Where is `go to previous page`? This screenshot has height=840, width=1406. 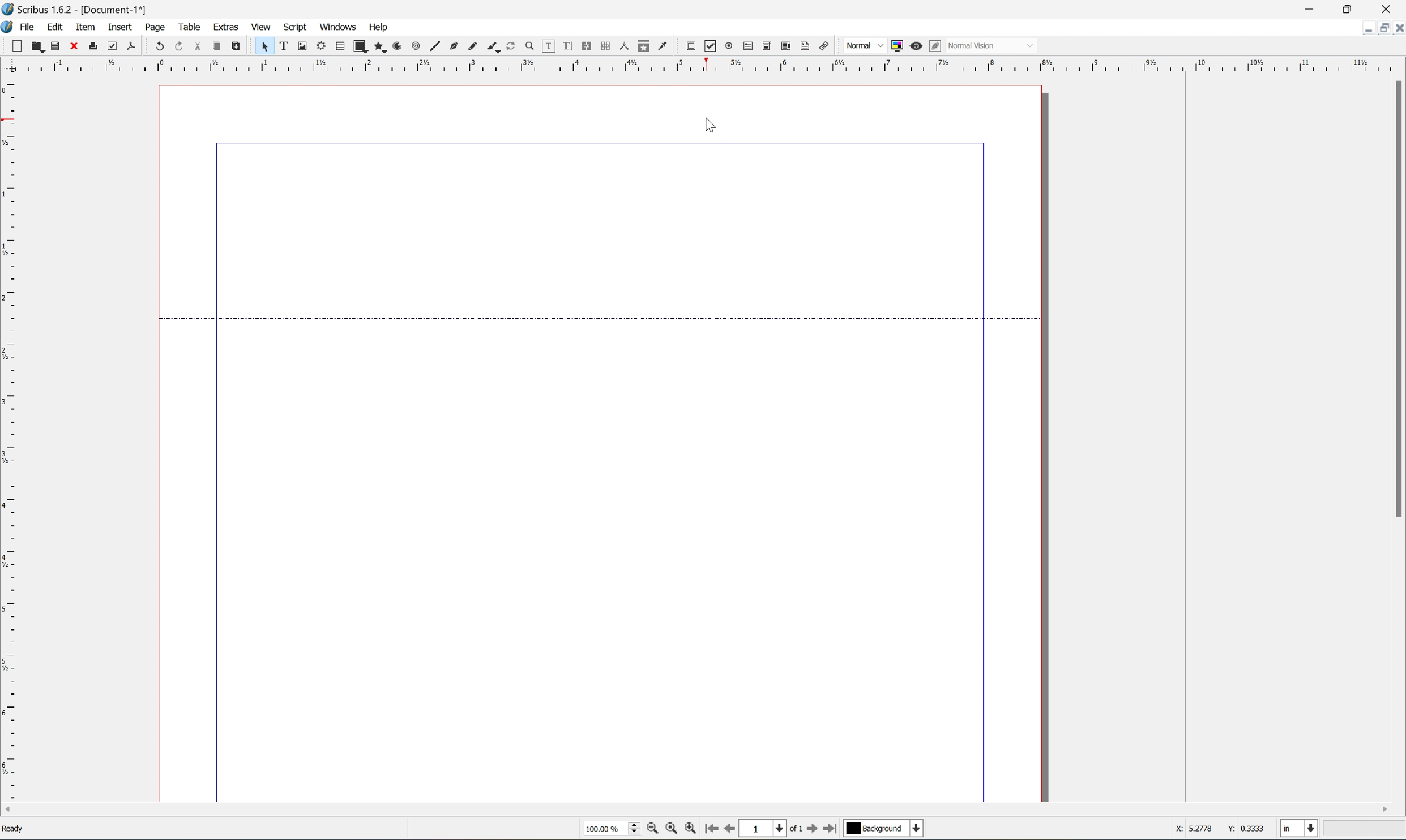
go to previous page is located at coordinates (727, 830).